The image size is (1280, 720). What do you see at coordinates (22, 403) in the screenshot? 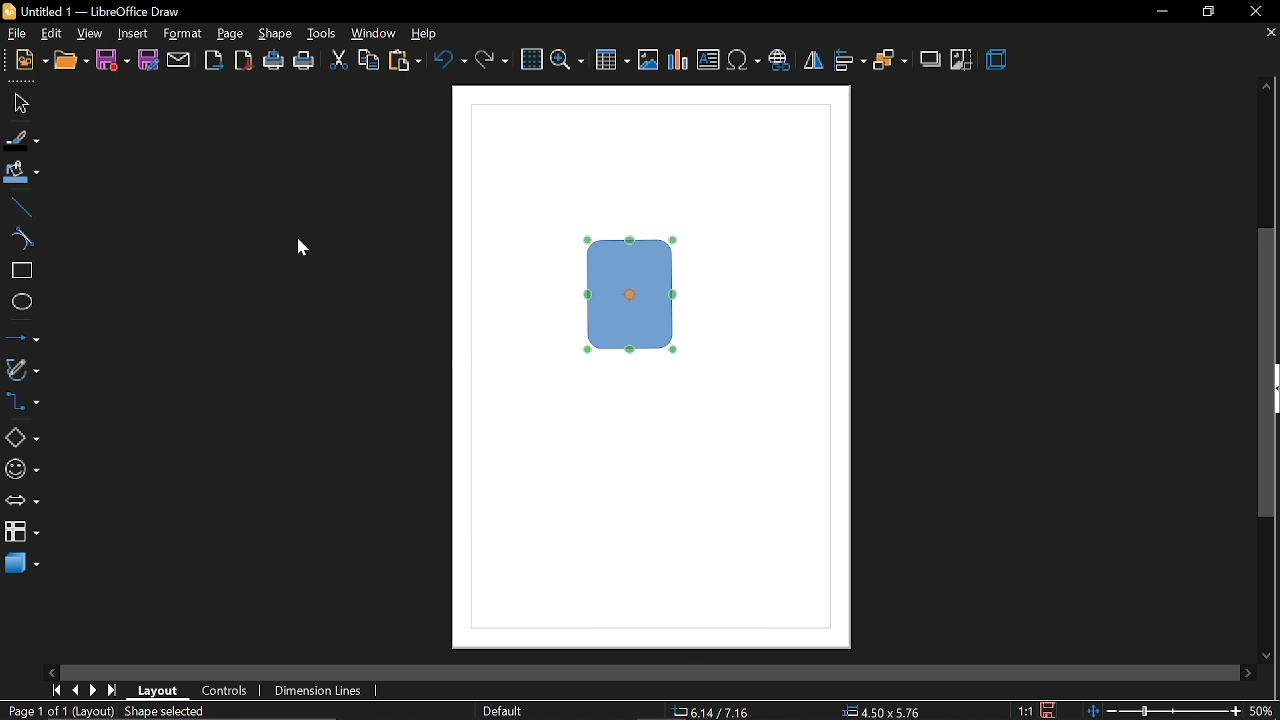
I see `connectors` at bounding box center [22, 403].